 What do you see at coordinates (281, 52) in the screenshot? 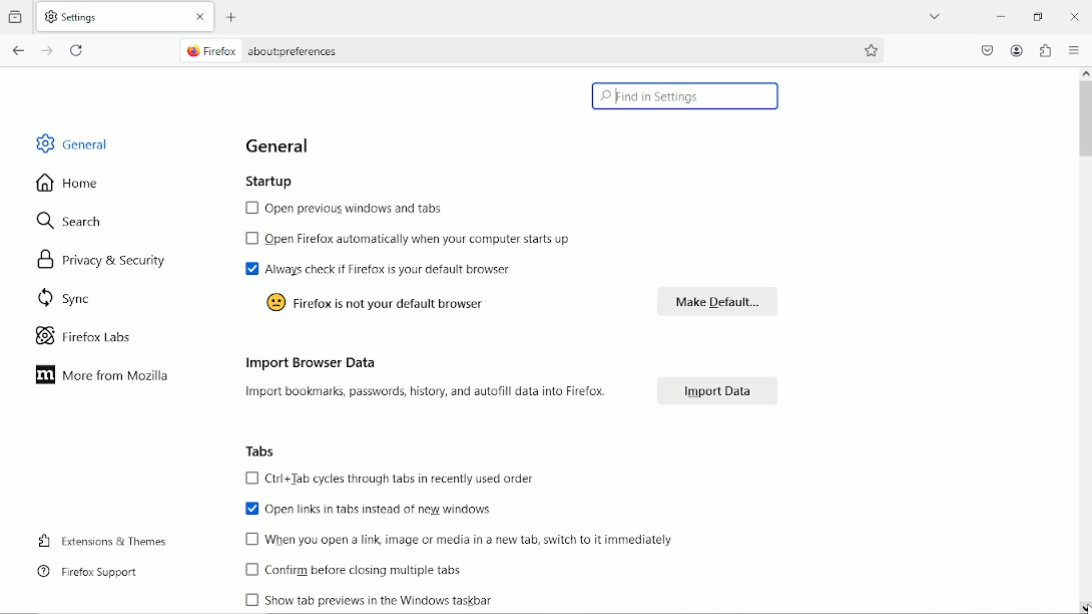
I see `@ Firefox aboutpreferences,` at bounding box center [281, 52].